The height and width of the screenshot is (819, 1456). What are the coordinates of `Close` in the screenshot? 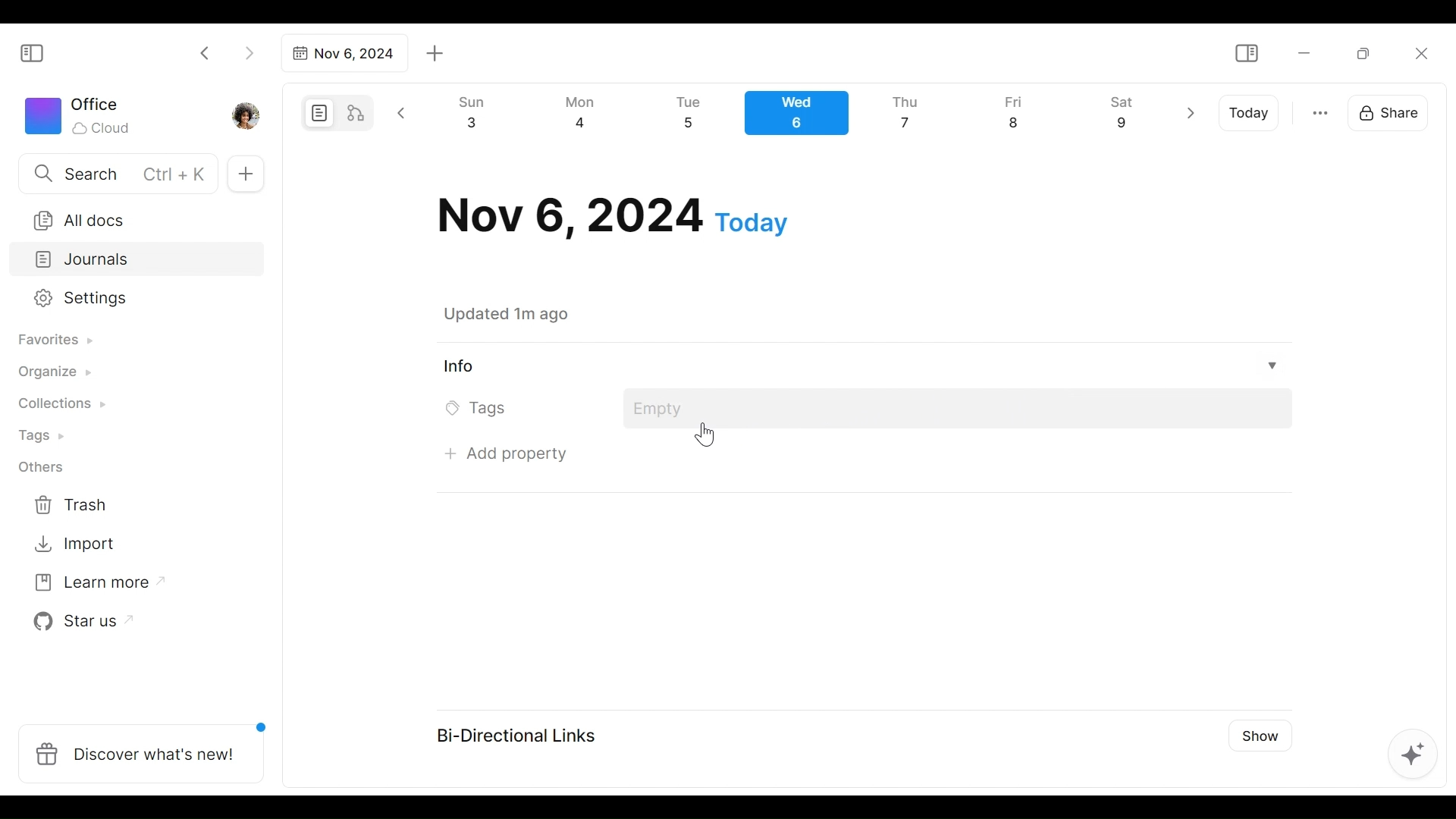 It's located at (1420, 53).